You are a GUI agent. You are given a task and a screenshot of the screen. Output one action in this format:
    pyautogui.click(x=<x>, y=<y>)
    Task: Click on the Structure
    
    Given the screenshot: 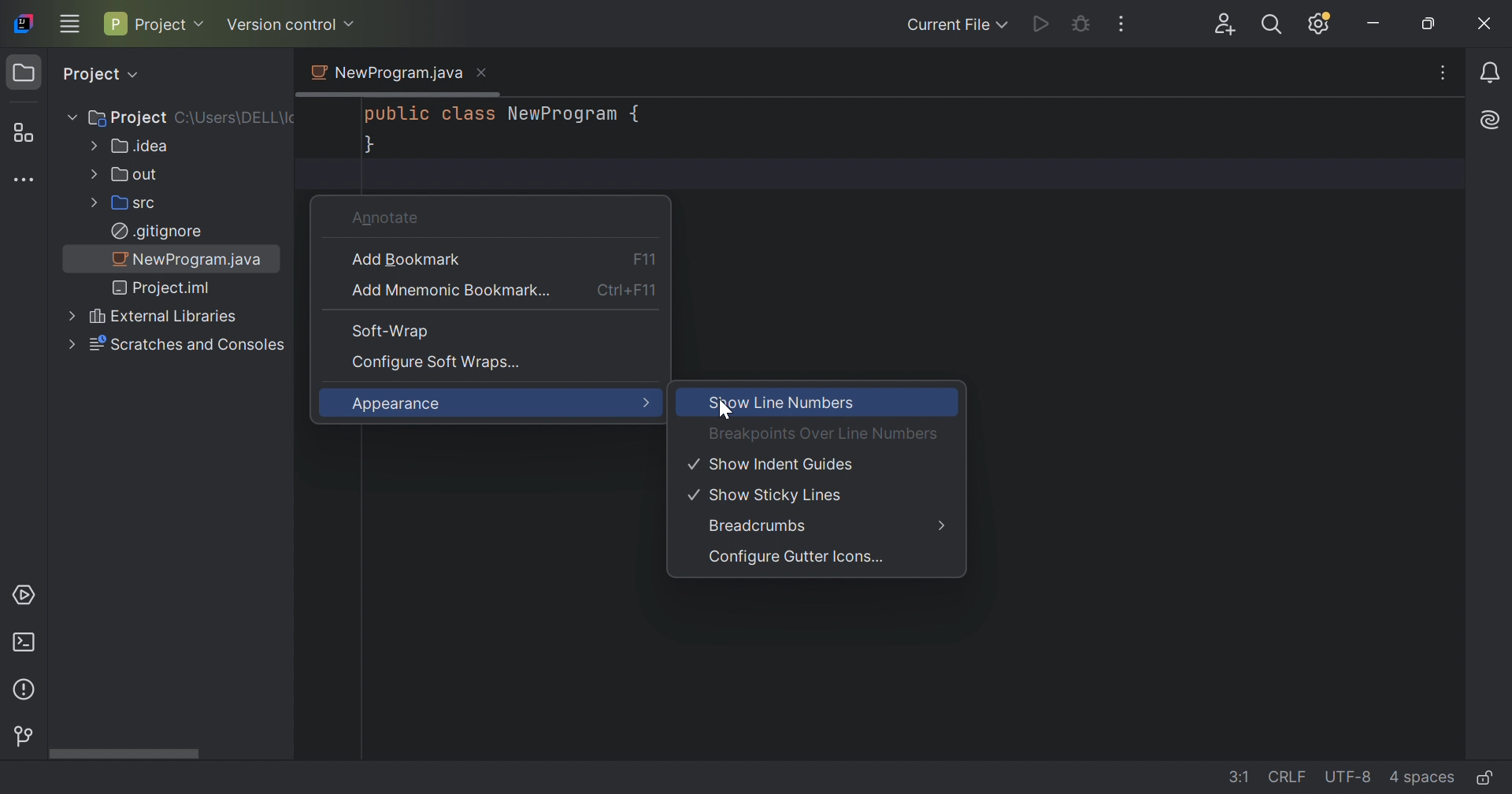 What is the action you would take?
    pyautogui.click(x=22, y=132)
    